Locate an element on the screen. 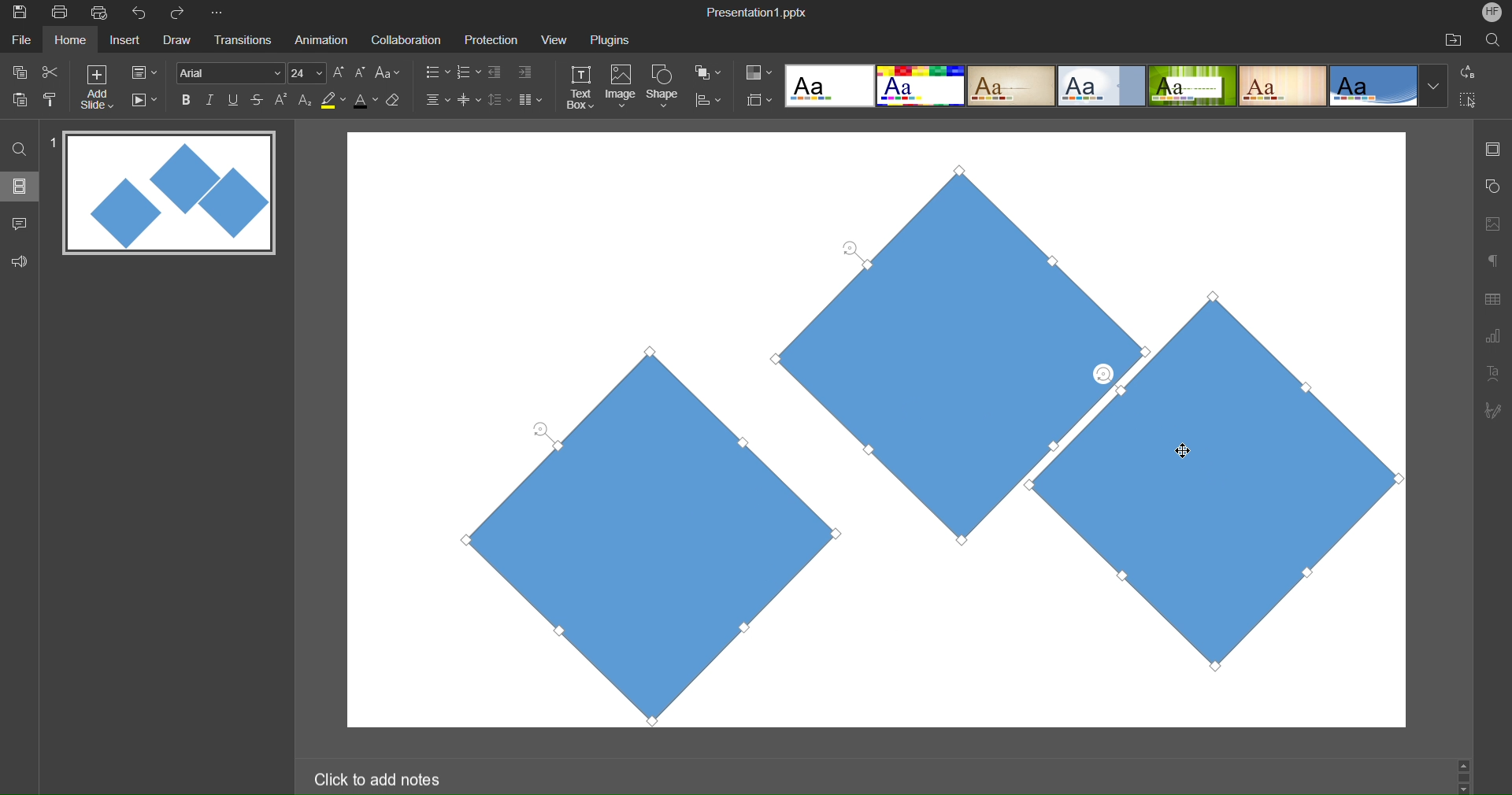 This screenshot has height=795, width=1512. Insert is located at coordinates (123, 41).